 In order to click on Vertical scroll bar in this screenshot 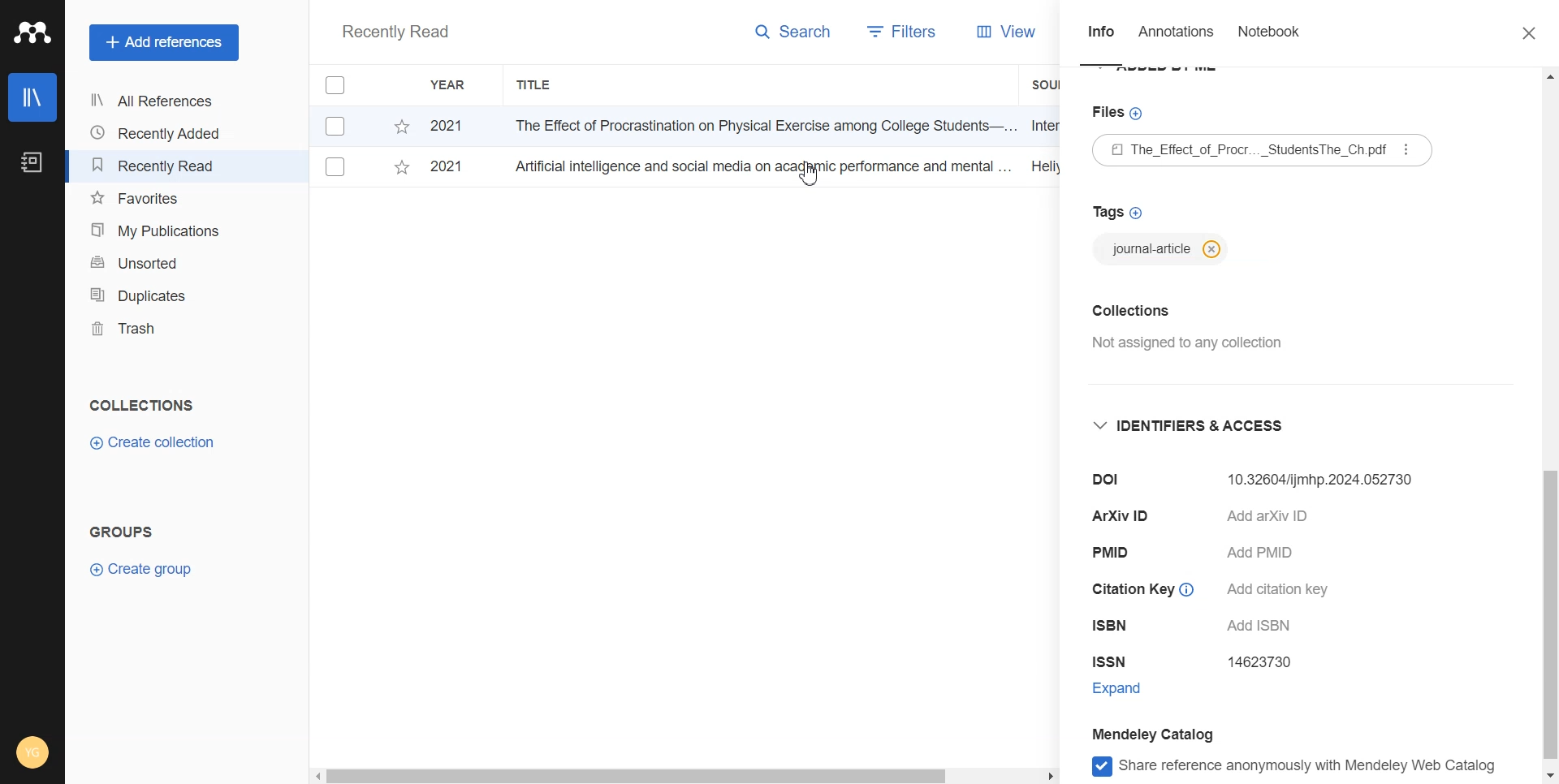, I will do `click(1549, 426)`.